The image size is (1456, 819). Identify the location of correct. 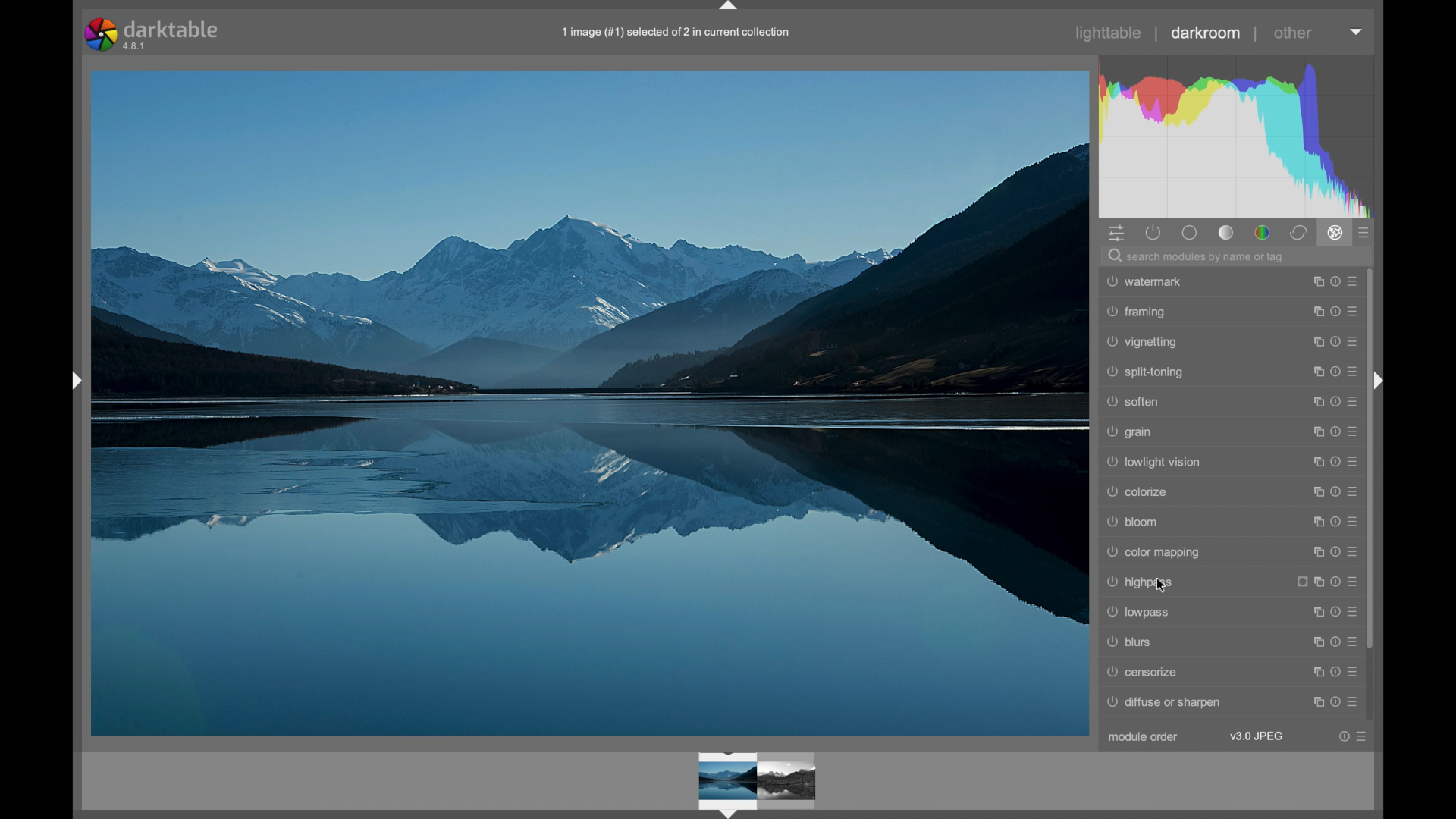
(1298, 234).